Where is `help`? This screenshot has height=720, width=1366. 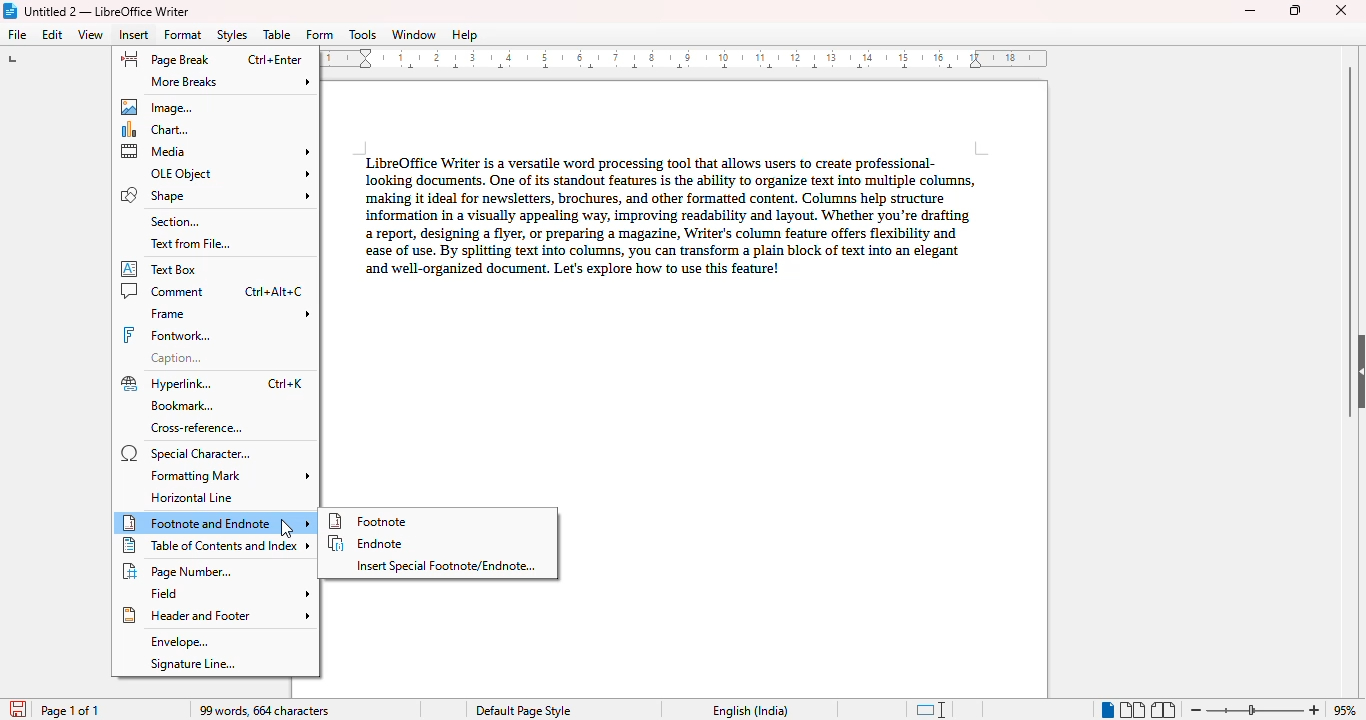
help is located at coordinates (464, 35).